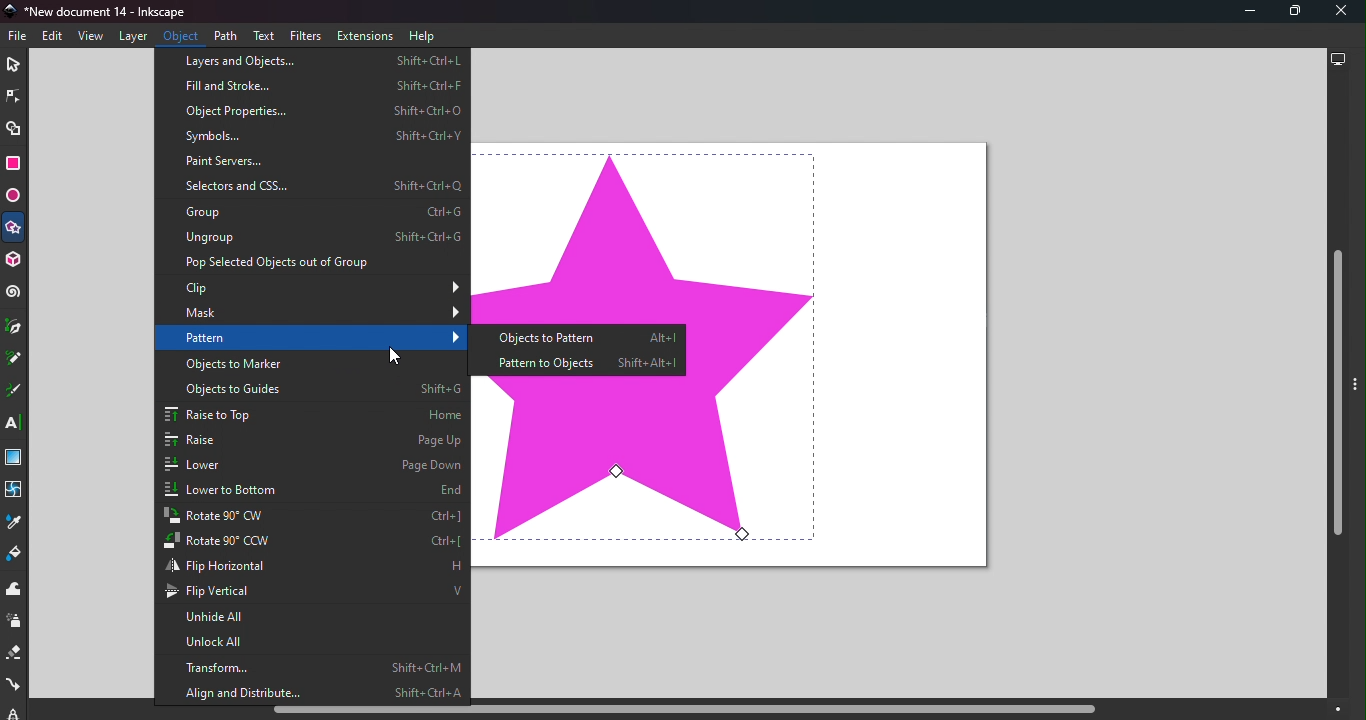 Image resolution: width=1366 pixels, height=720 pixels. I want to click on Pattern, so click(318, 337).